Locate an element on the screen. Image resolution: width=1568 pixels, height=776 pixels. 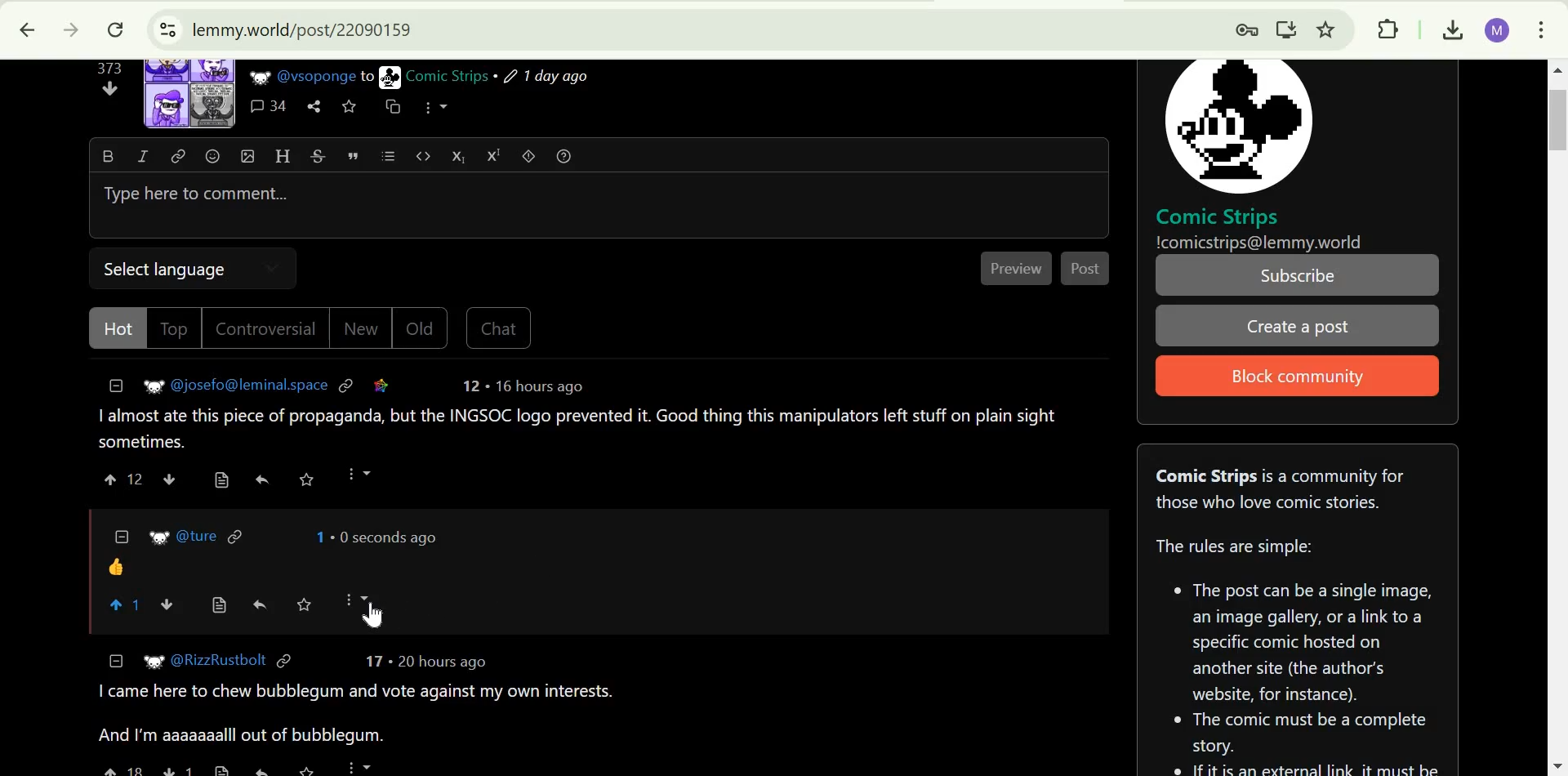
superscript is located at coordinates (494, 156).